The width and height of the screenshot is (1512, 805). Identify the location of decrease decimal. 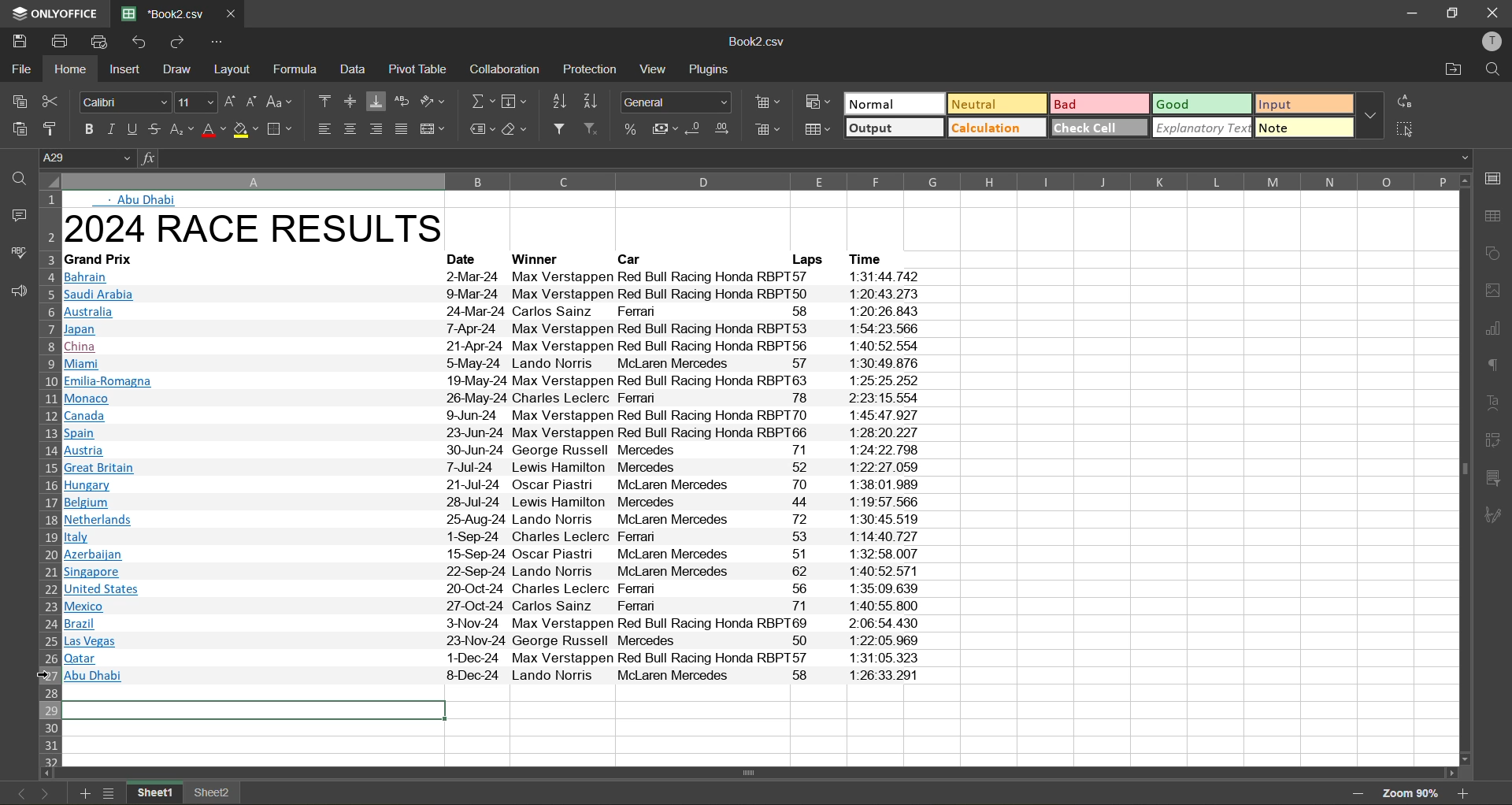
(695, 131).